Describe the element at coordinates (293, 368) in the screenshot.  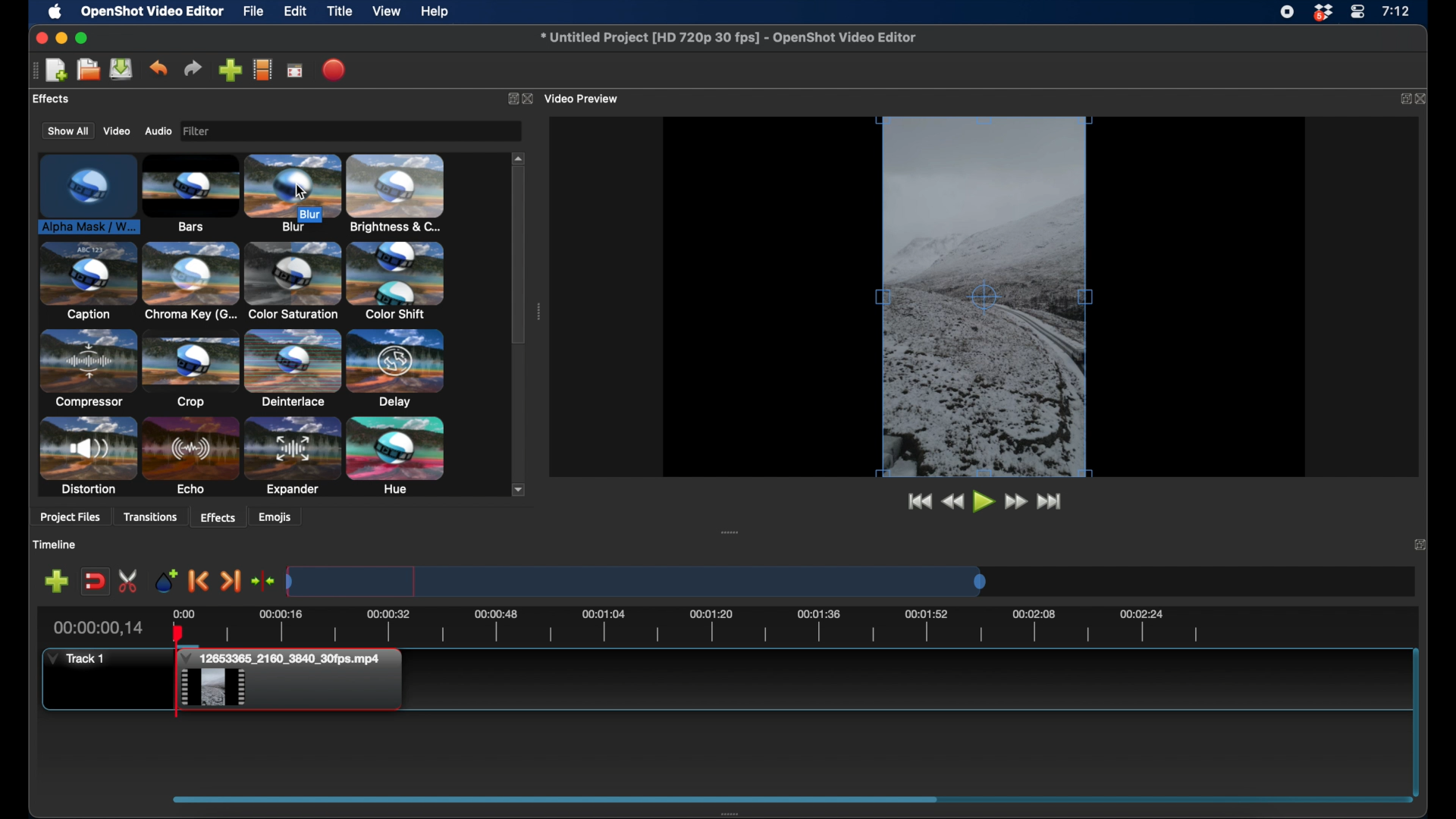
I see `deinterlace` at that location.